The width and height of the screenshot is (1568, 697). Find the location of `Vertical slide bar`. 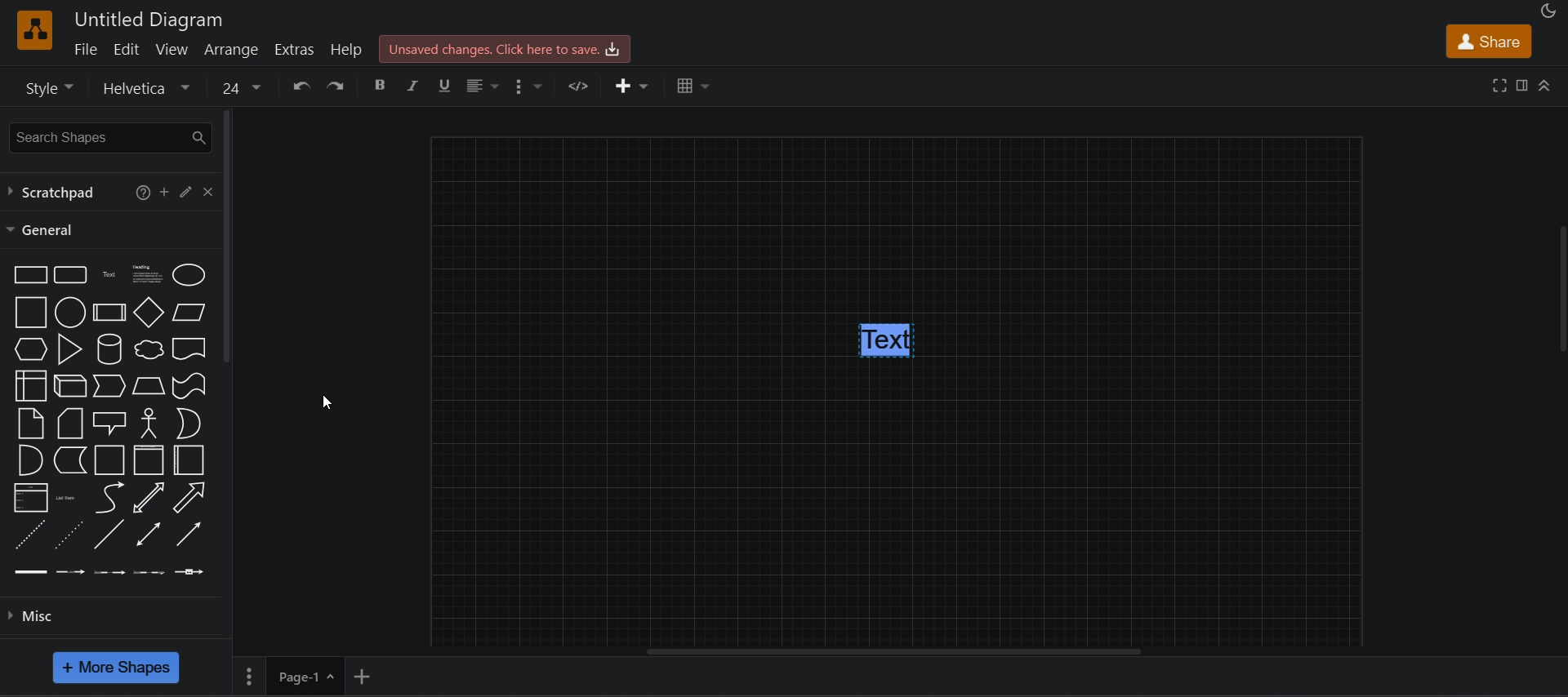

Vertical slide bar is located at coordinates (1562, 291).